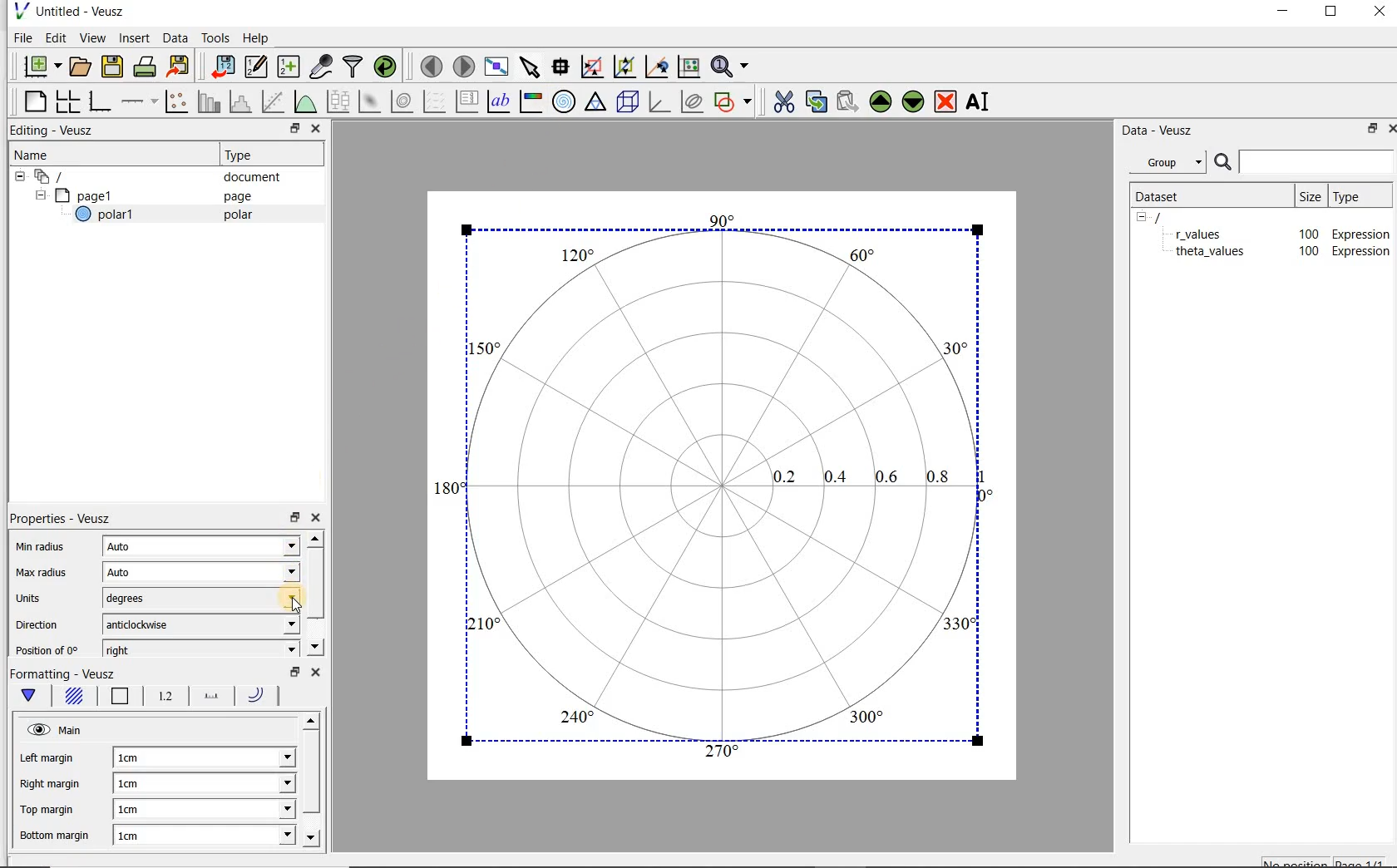  I want to click on right, so click(145, 649).